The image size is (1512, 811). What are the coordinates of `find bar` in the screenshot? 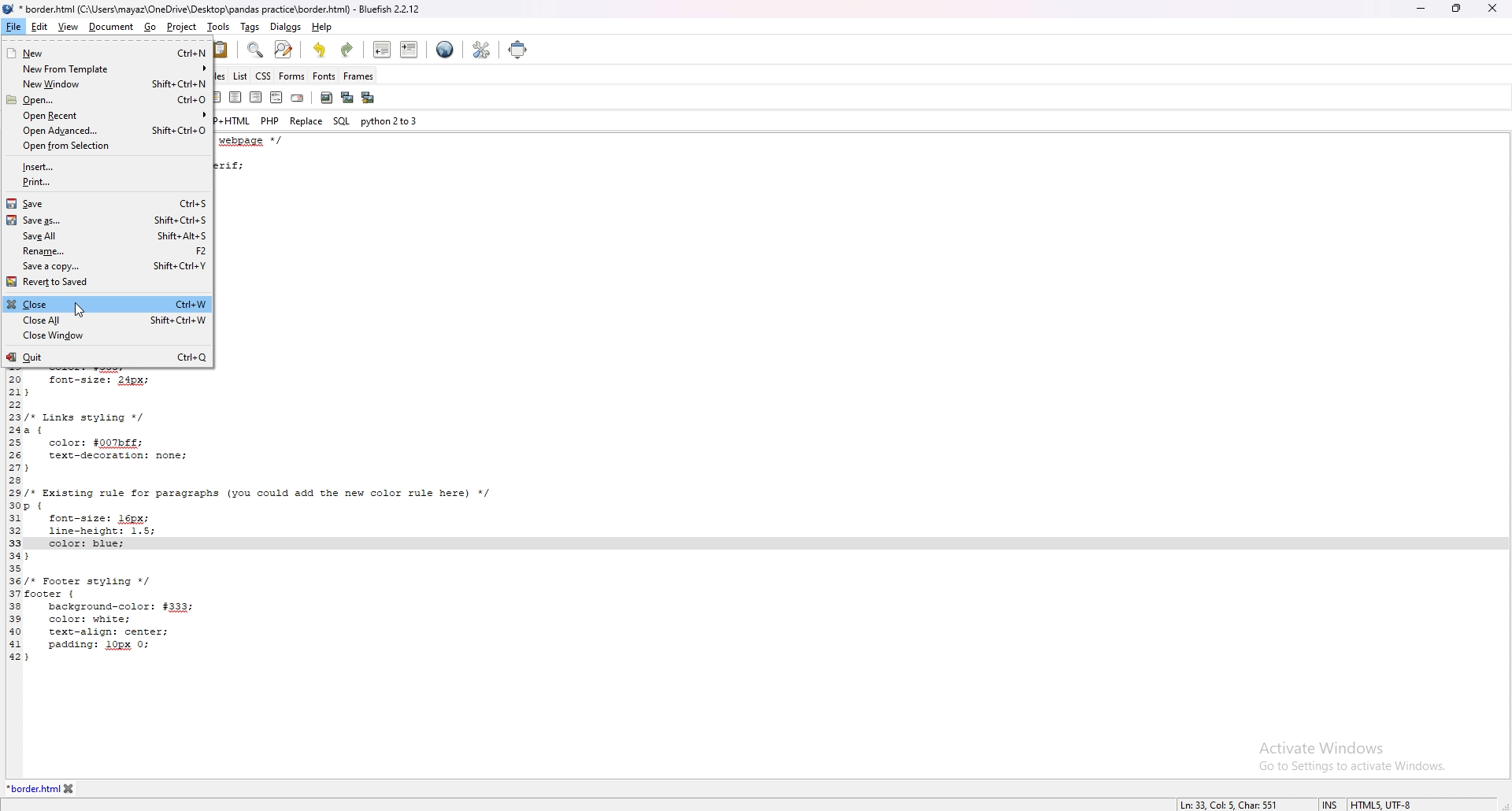 It's located at (256, 50).